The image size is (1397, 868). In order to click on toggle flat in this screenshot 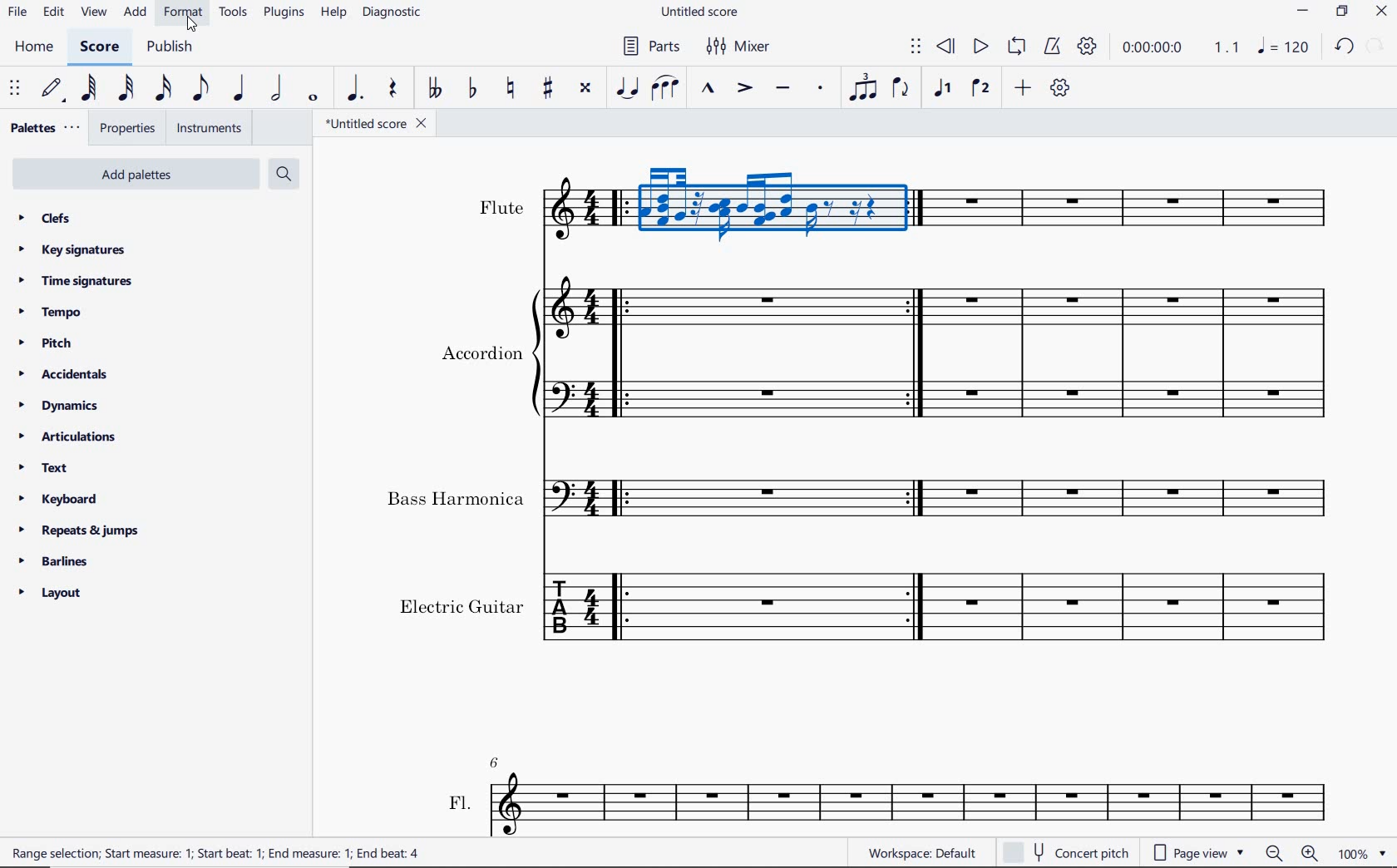, I will do `click(472, 89)`.